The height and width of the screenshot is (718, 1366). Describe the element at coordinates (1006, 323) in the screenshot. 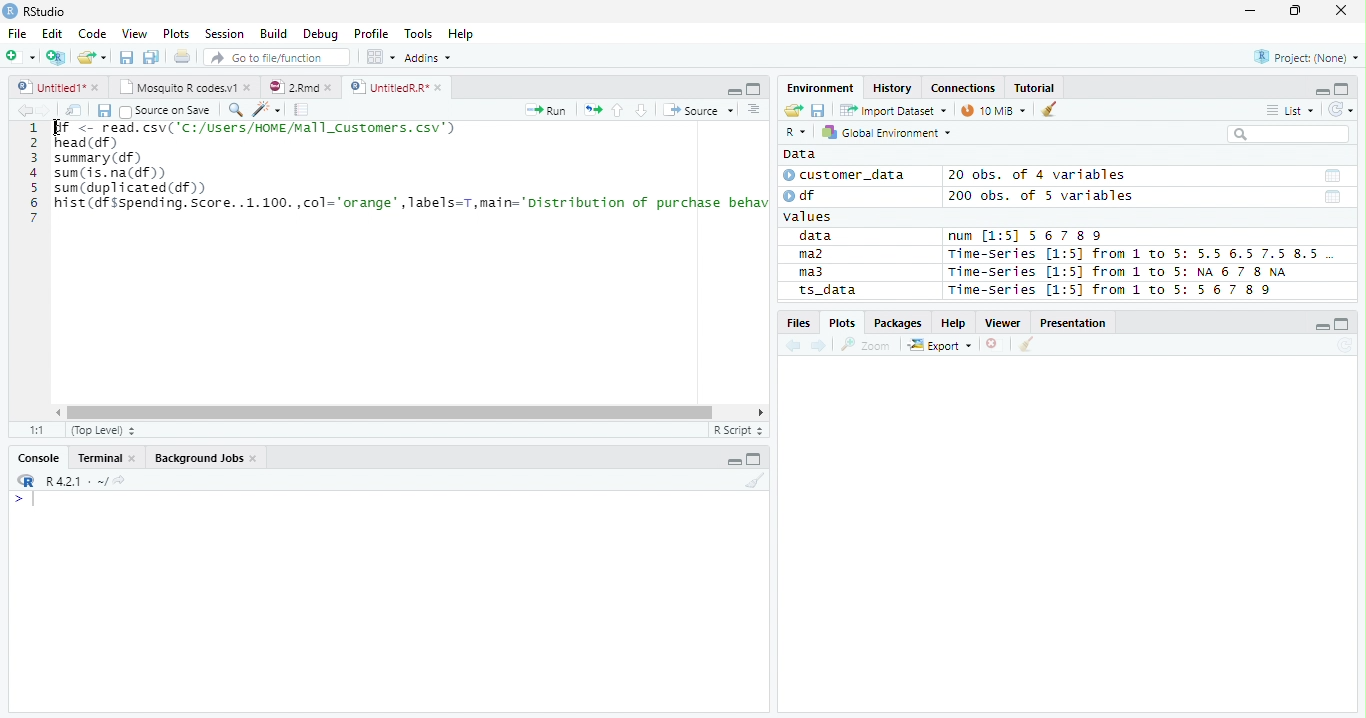

I see `Viewer` at that location.